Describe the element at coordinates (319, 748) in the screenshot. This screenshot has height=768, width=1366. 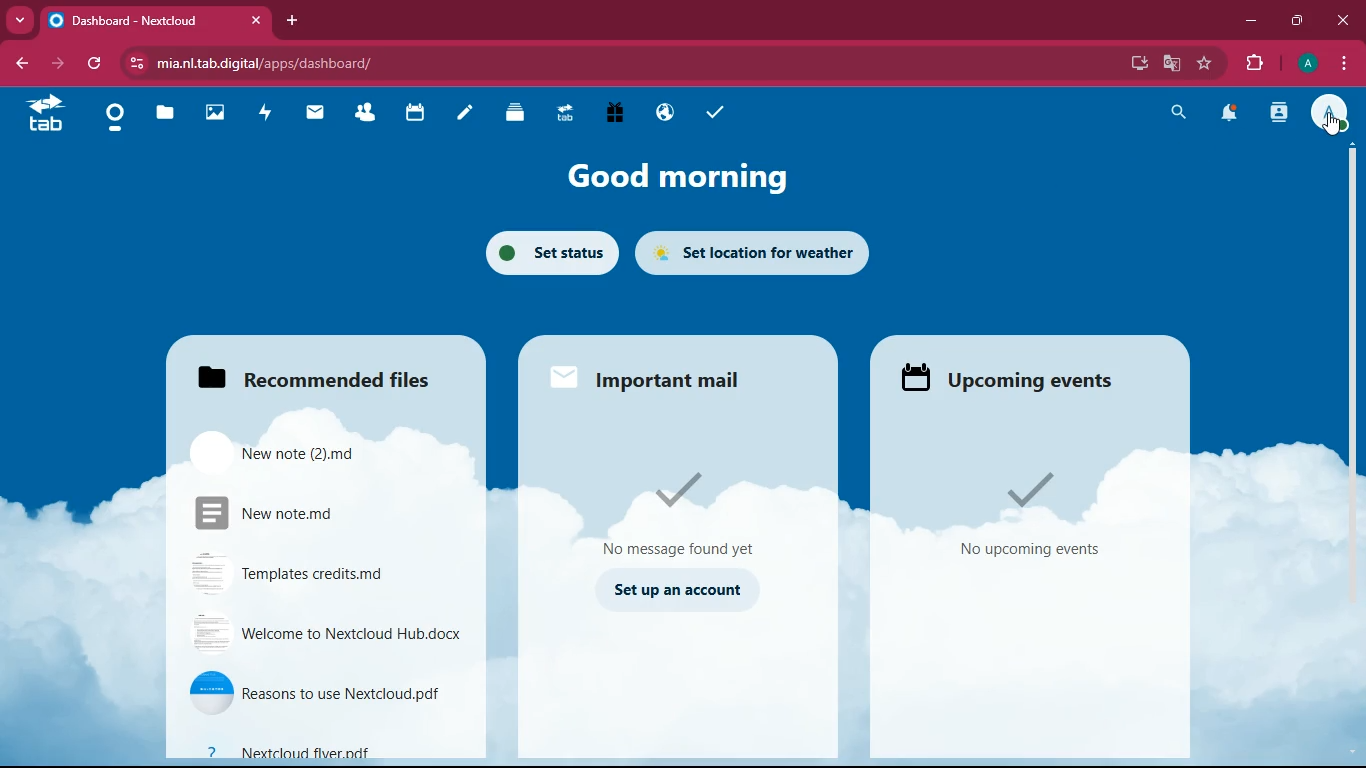
I see `file` at that location.